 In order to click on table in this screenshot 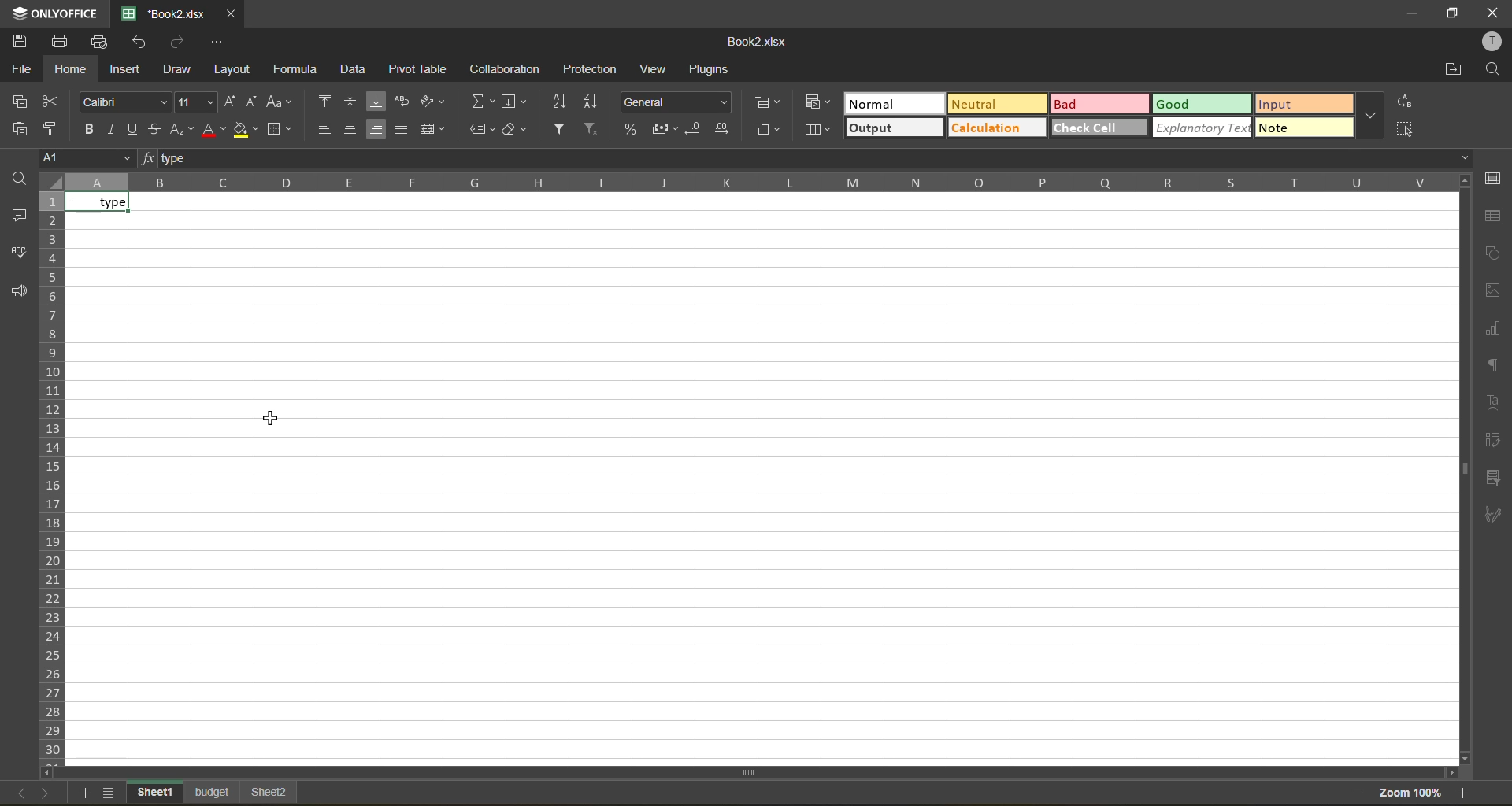, I will do `click(1493, 216)`.